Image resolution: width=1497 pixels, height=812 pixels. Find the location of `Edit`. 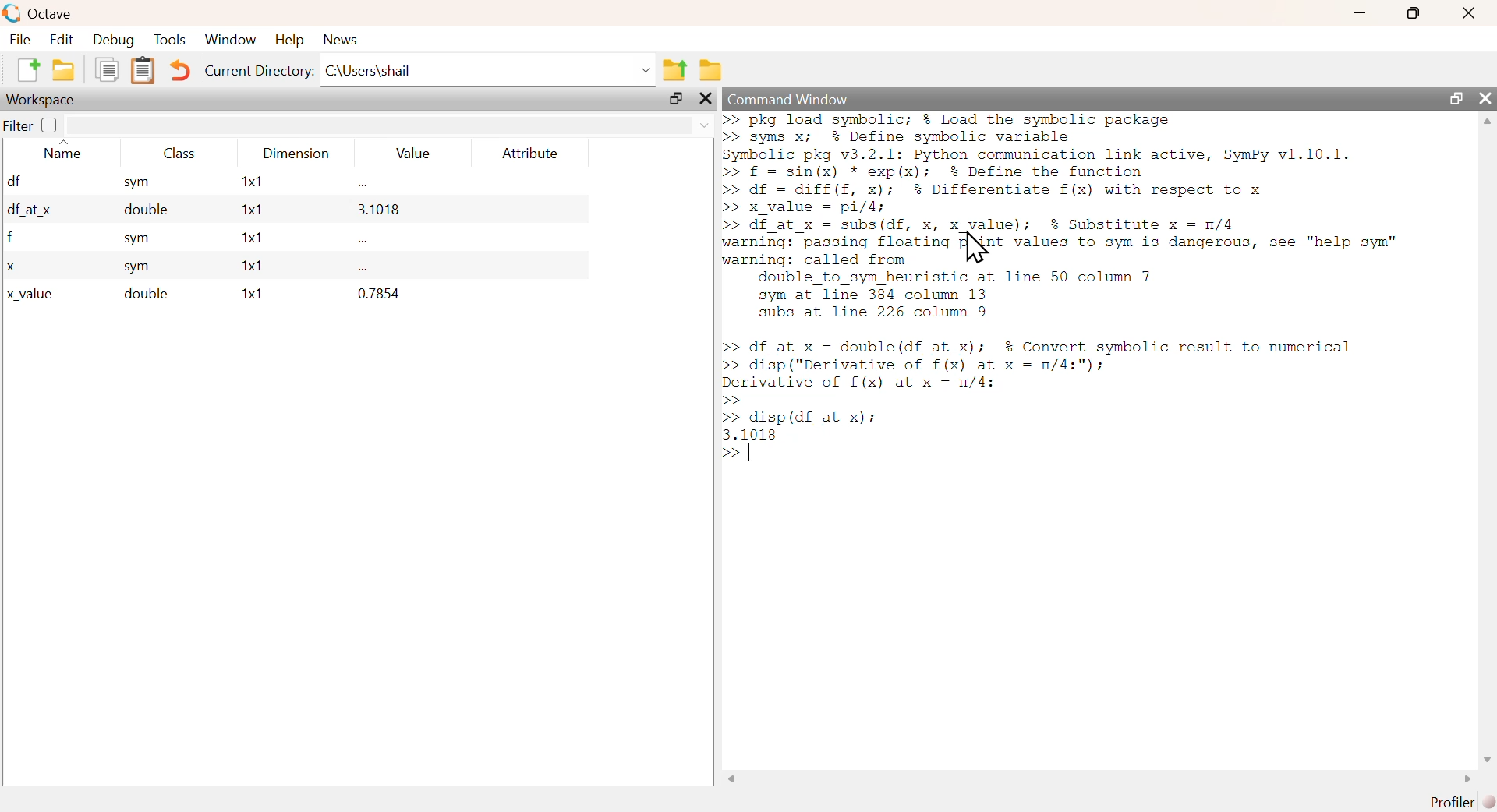

Edit is located at coordinates (58, 40).